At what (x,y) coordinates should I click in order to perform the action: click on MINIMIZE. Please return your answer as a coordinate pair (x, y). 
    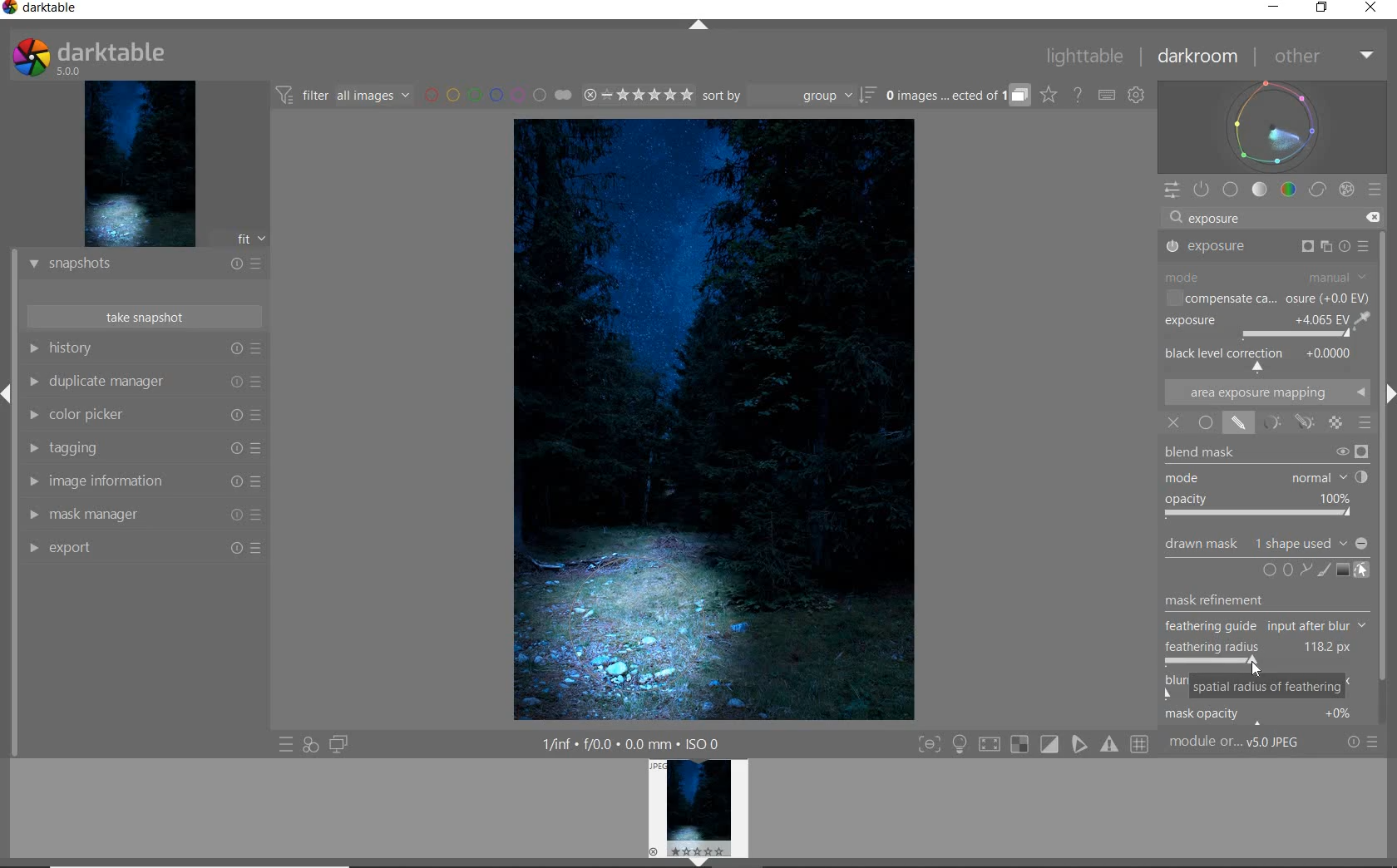
    Looking at the image, I should click on (1275, 7).